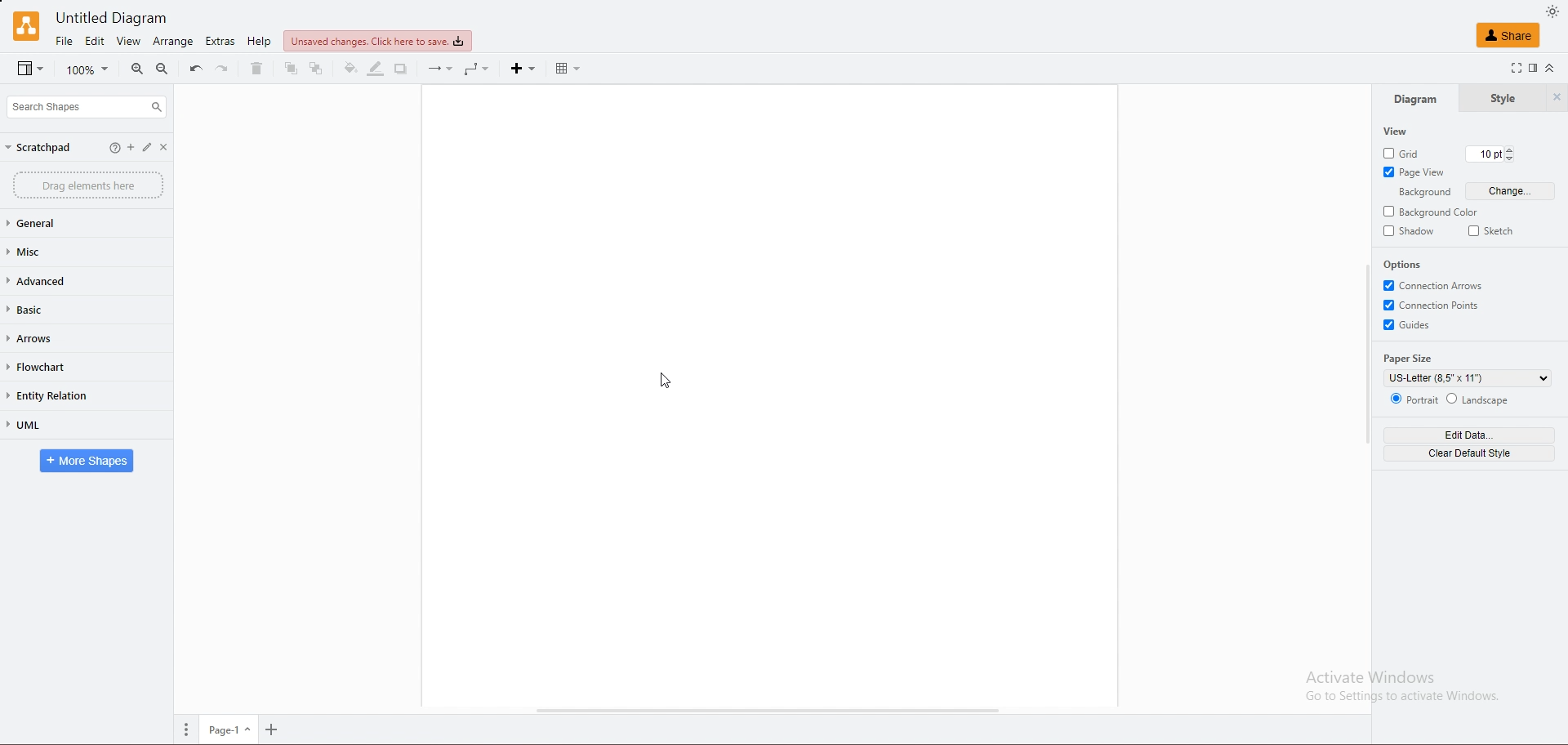 Image resolution: width=1568 pixels, height=745 pixels. Describe the element at coordinates (96, 41) in the screenshot. I see `edit` at that location.